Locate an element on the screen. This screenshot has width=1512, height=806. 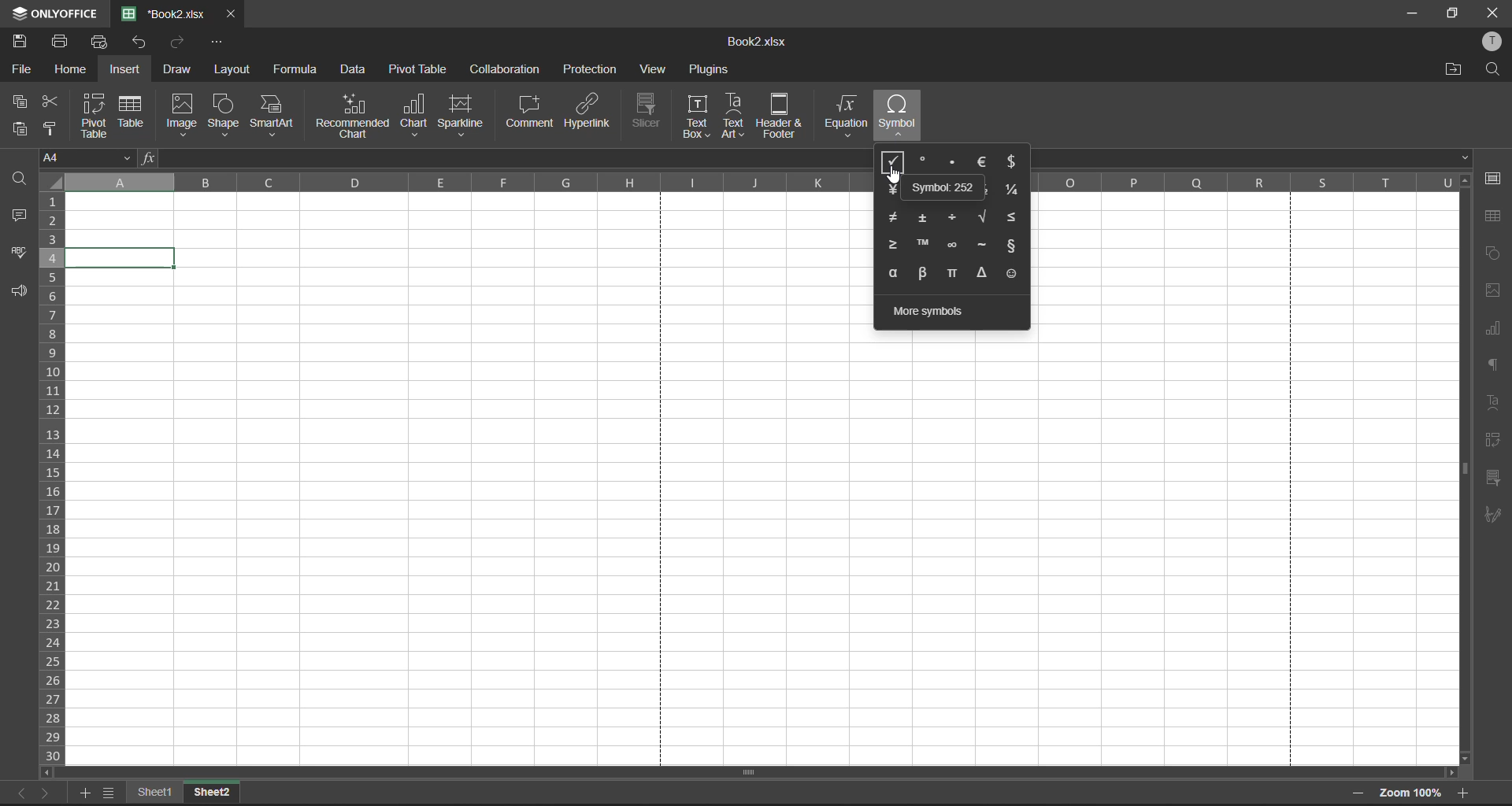
Sheet1 is located at coordinates (155, 794).